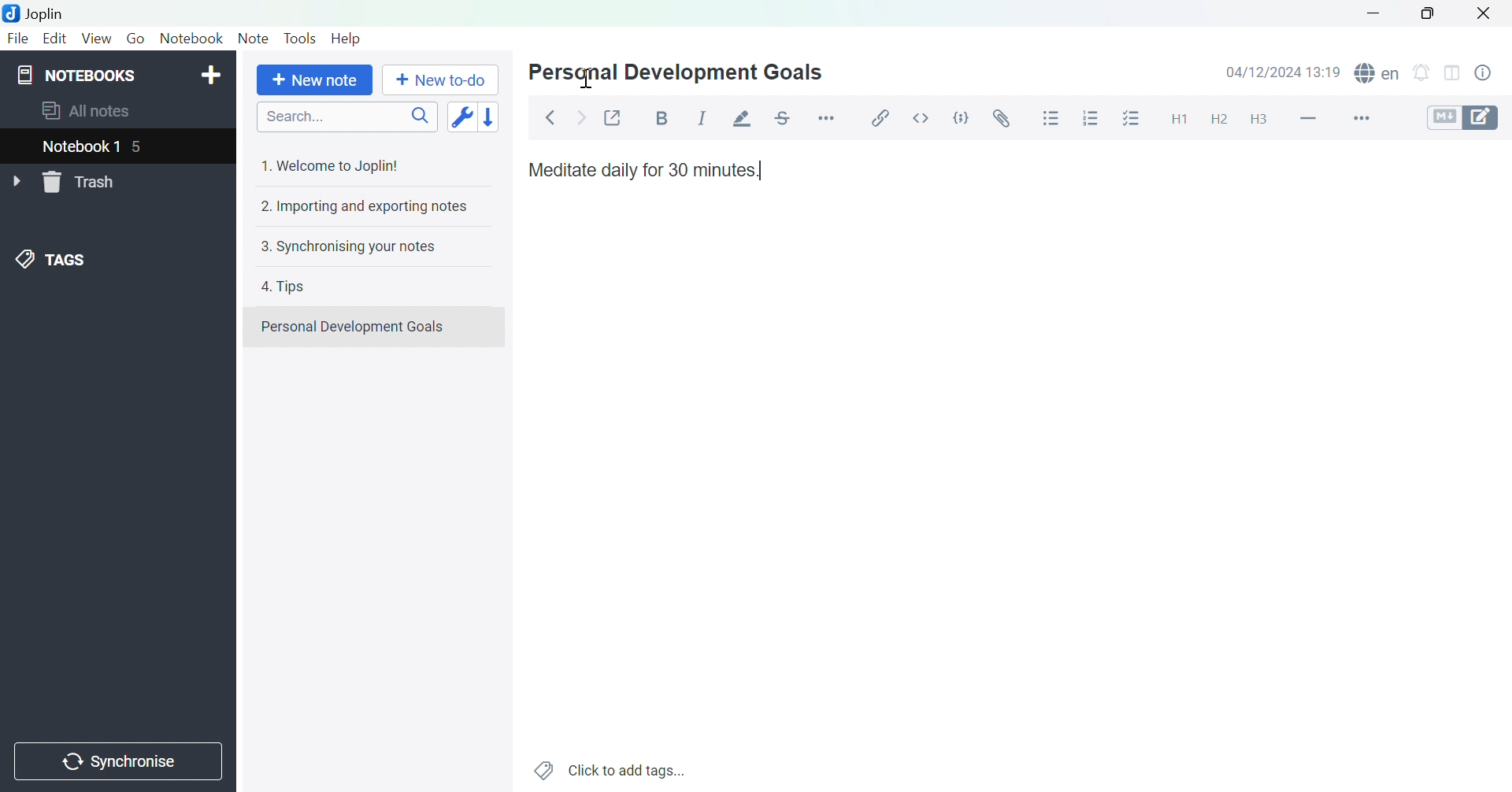 This screenshot has height=792, width=1512. I want to click on Forward, so click(580, 116).